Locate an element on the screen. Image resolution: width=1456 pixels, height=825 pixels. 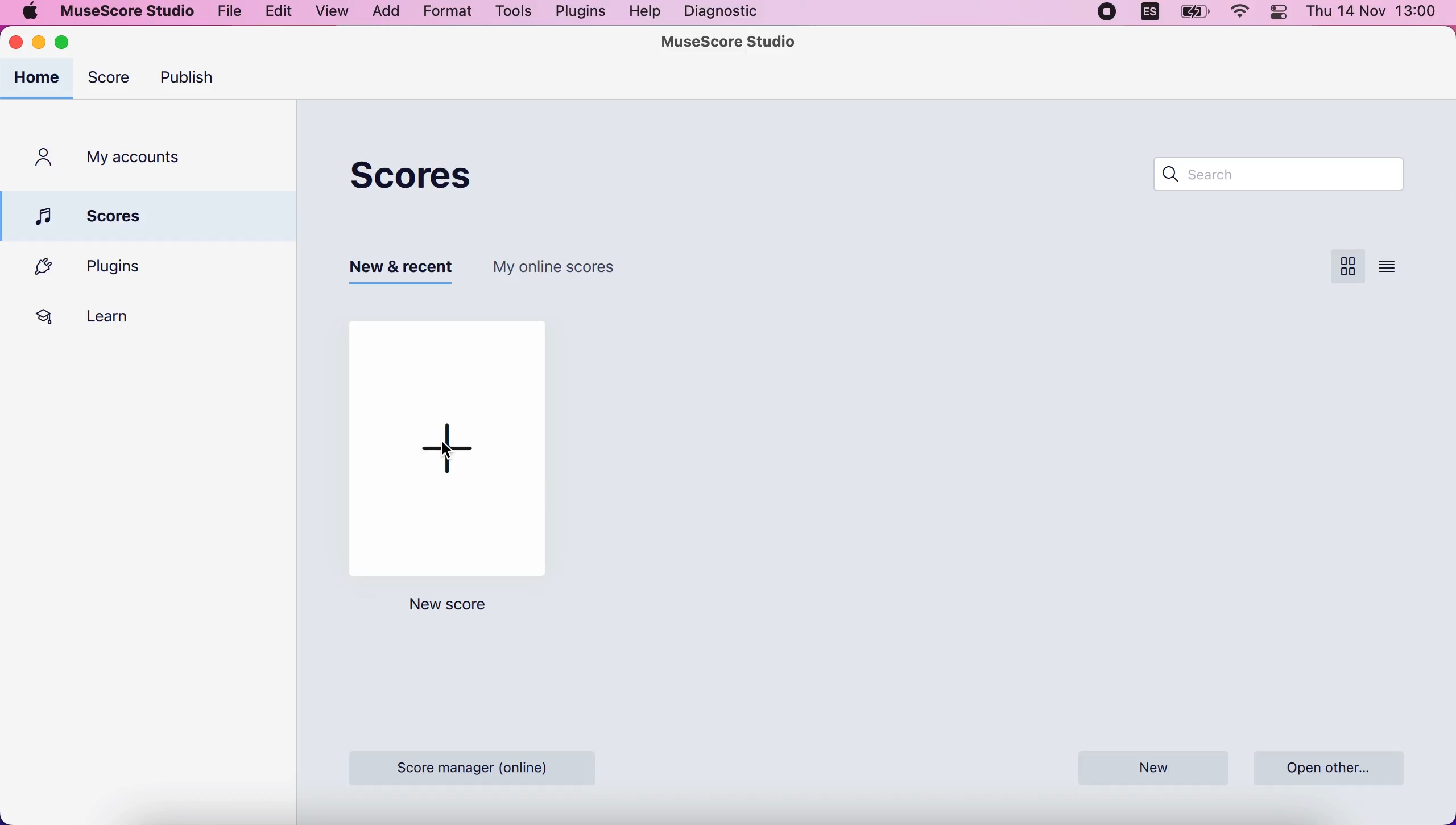
view is located at coordinates (331, 12).